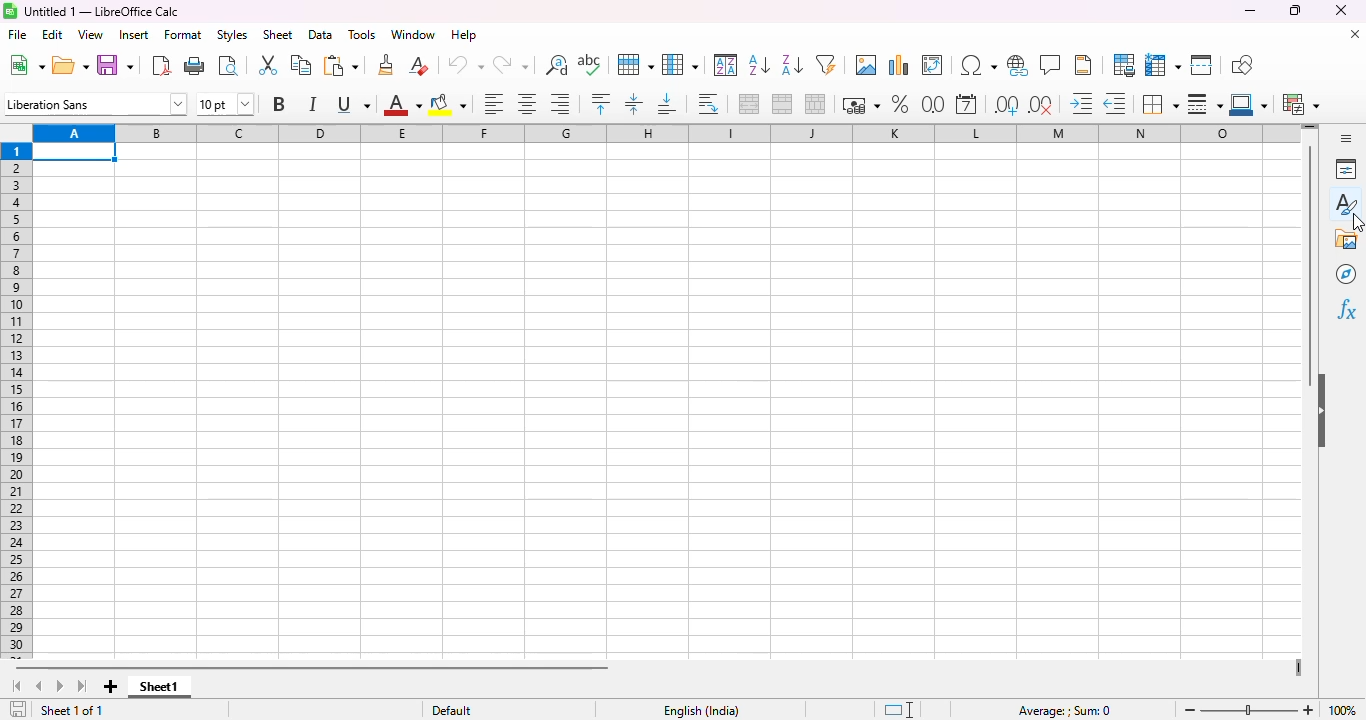 This screenshot has height=720, width=1366. Describe the element at coordinates (1346, 138) in the screenshot. I see `sidebar settings` at that location.